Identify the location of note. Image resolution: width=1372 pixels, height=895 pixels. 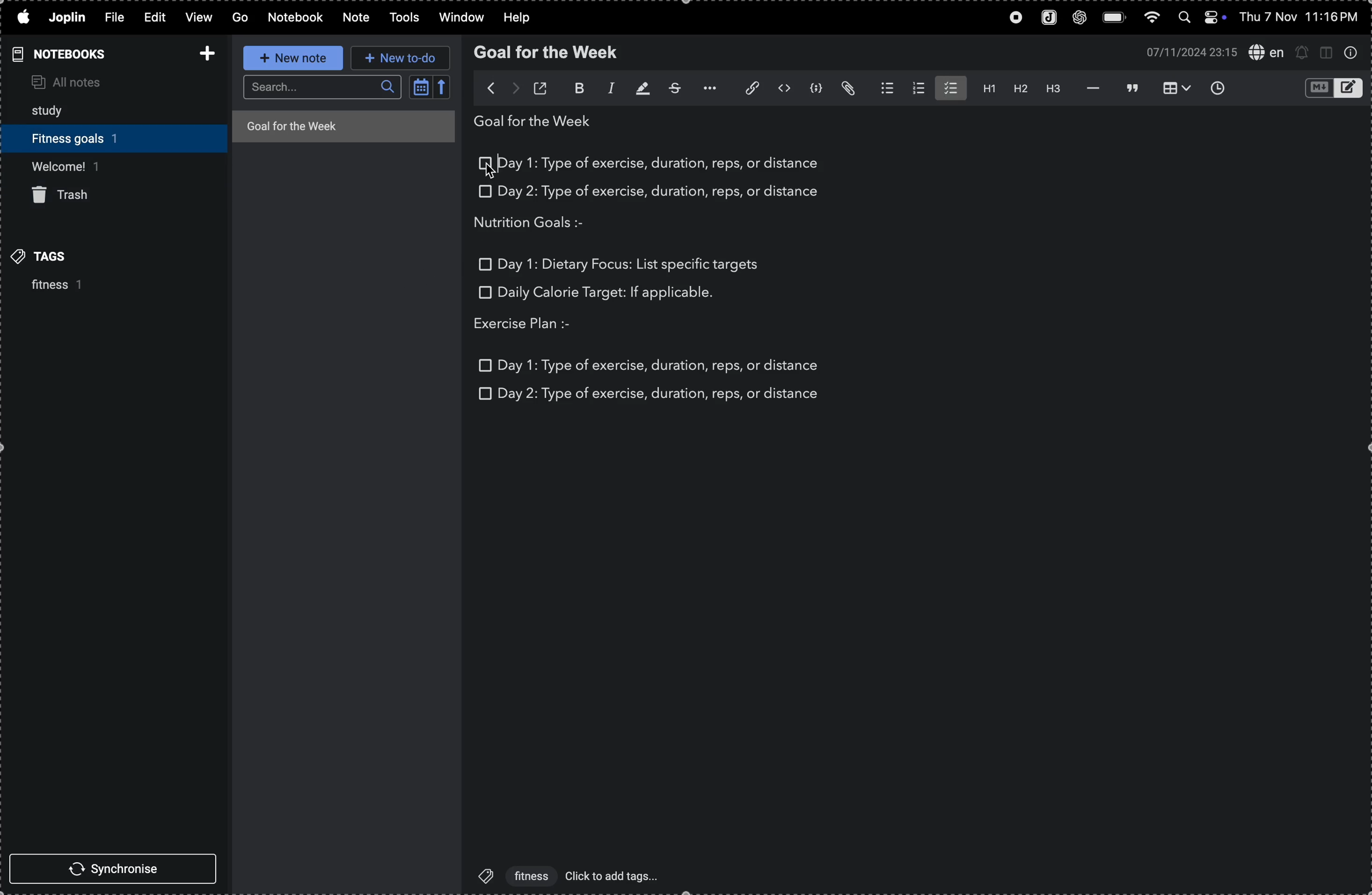
(355, 18).